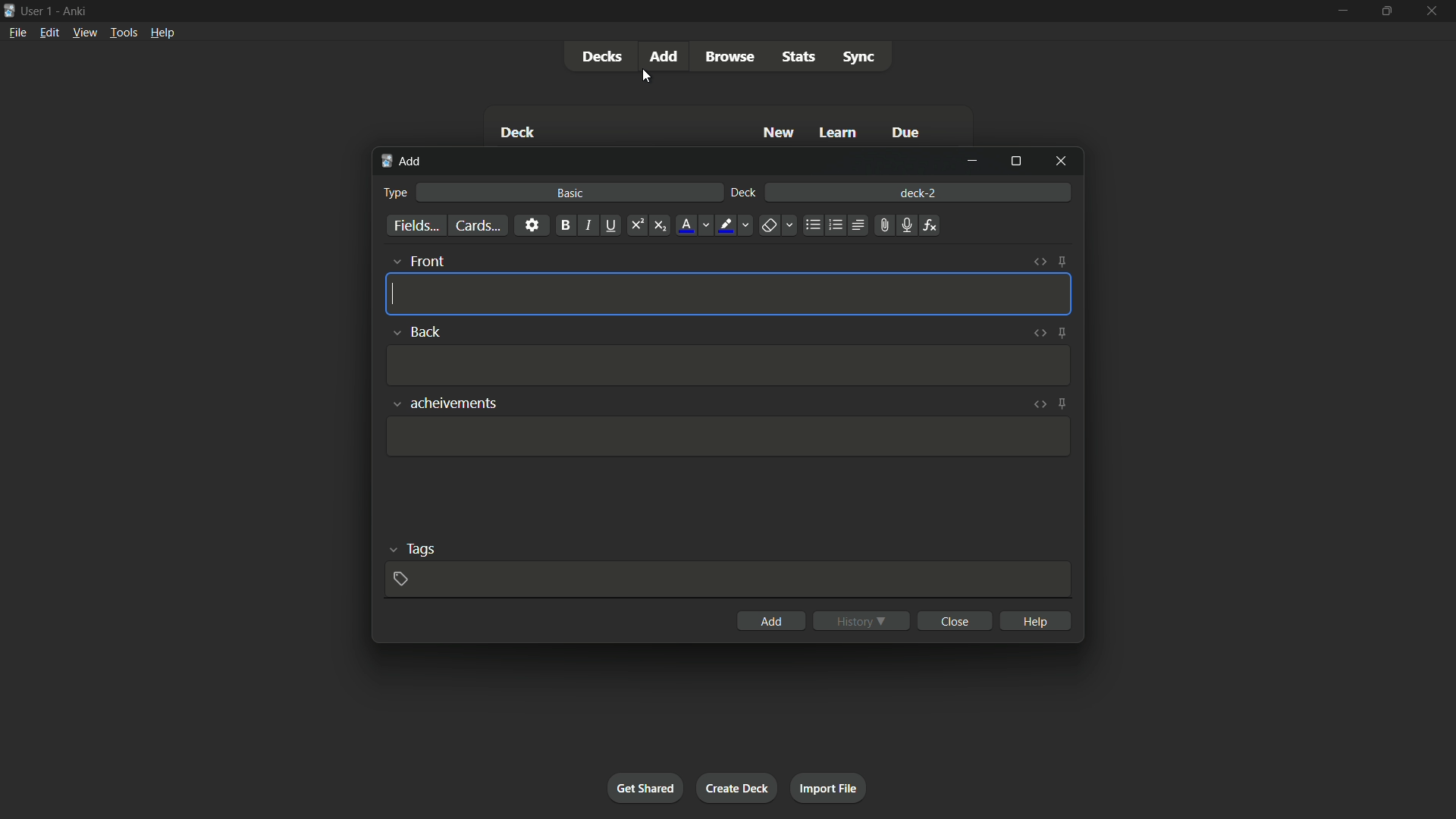 The image size is (1456, 819). Describe the element at coordinates (588, 225) in the screenshot. I see `italic` at that location.